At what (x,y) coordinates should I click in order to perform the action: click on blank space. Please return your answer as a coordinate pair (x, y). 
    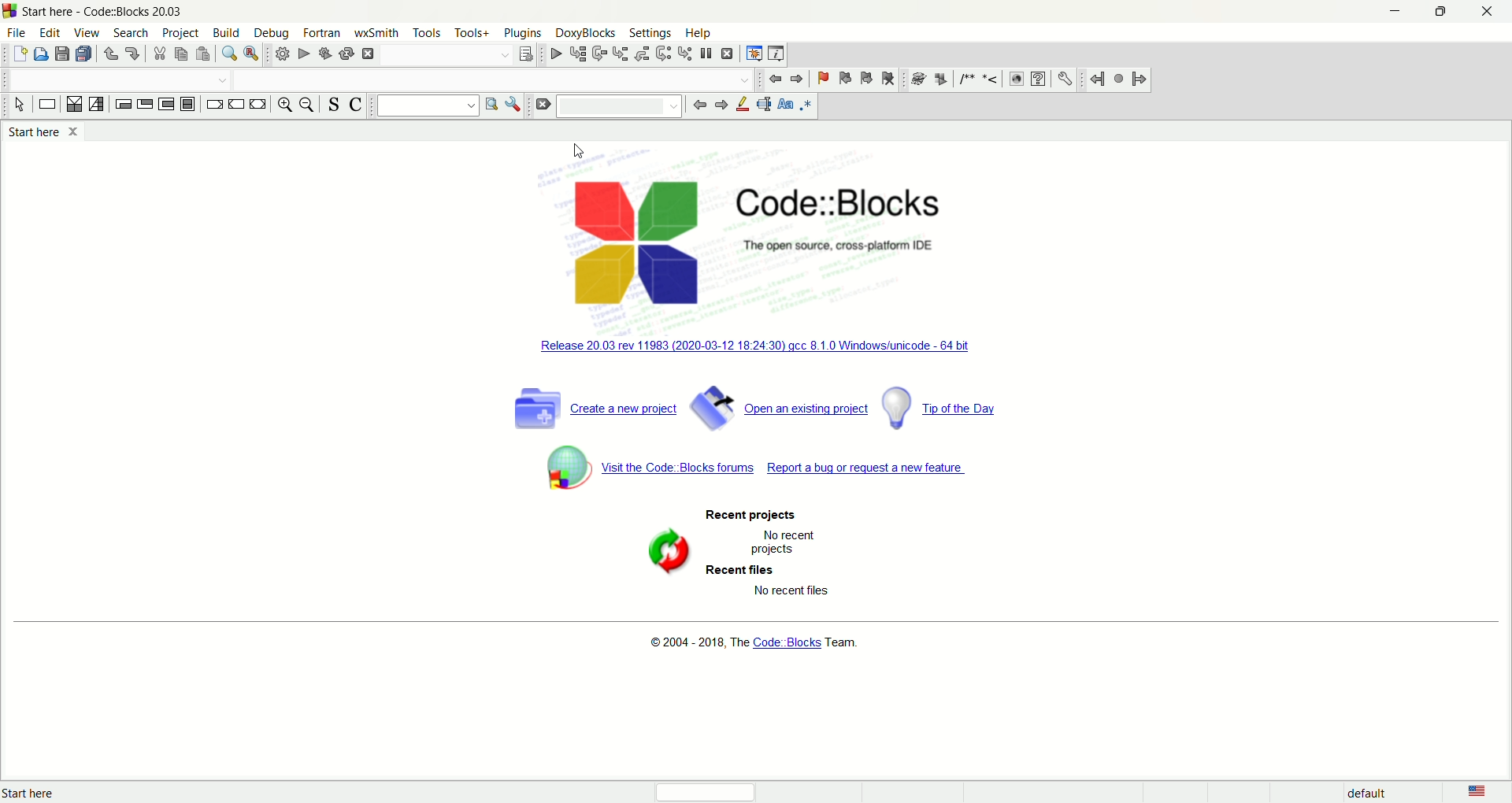
    Looking at the image, I should click on (620, 105).